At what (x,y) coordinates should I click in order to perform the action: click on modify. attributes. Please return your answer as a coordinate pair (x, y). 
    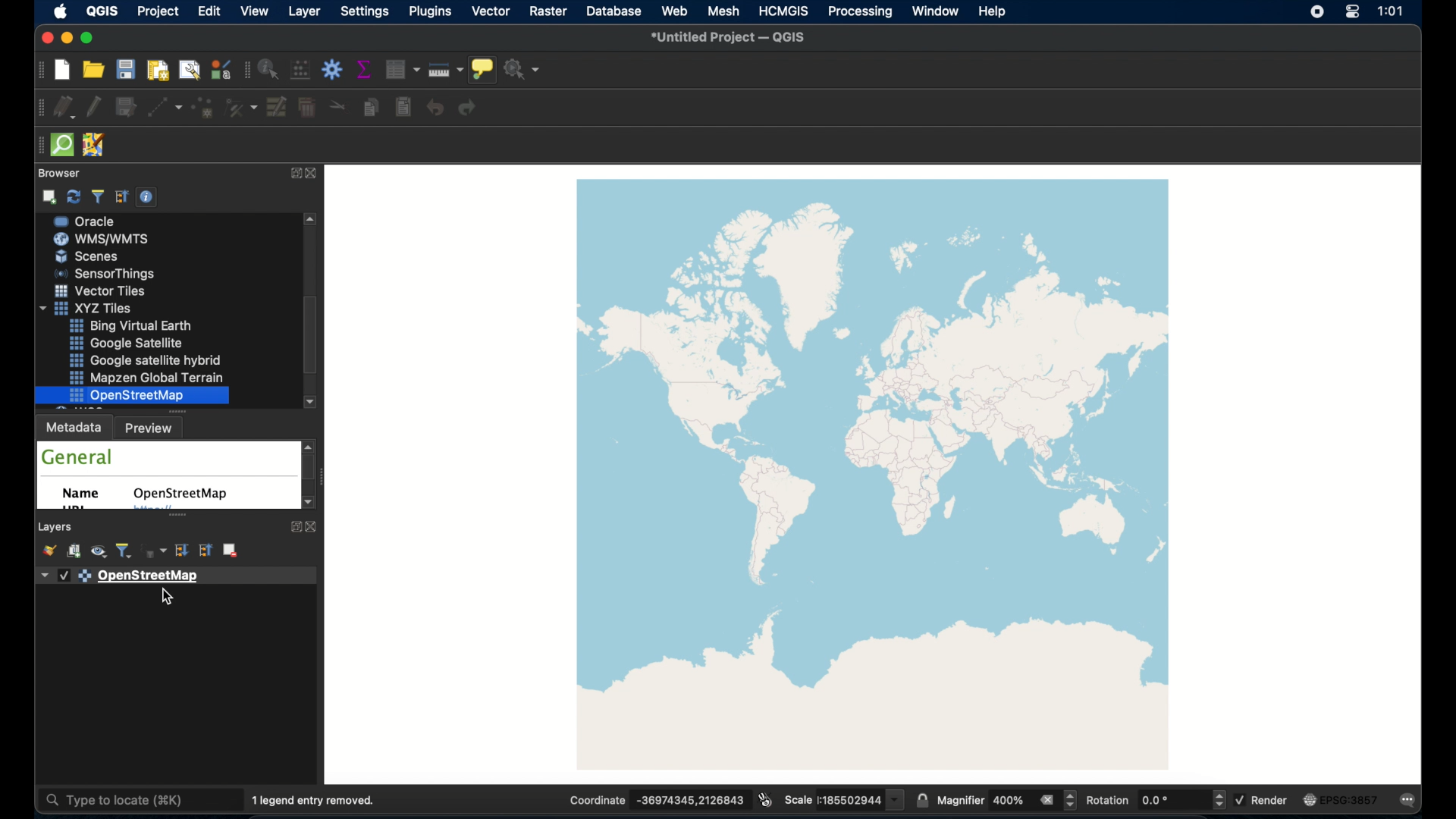
    Looking at the image, I should click on (278, 108).